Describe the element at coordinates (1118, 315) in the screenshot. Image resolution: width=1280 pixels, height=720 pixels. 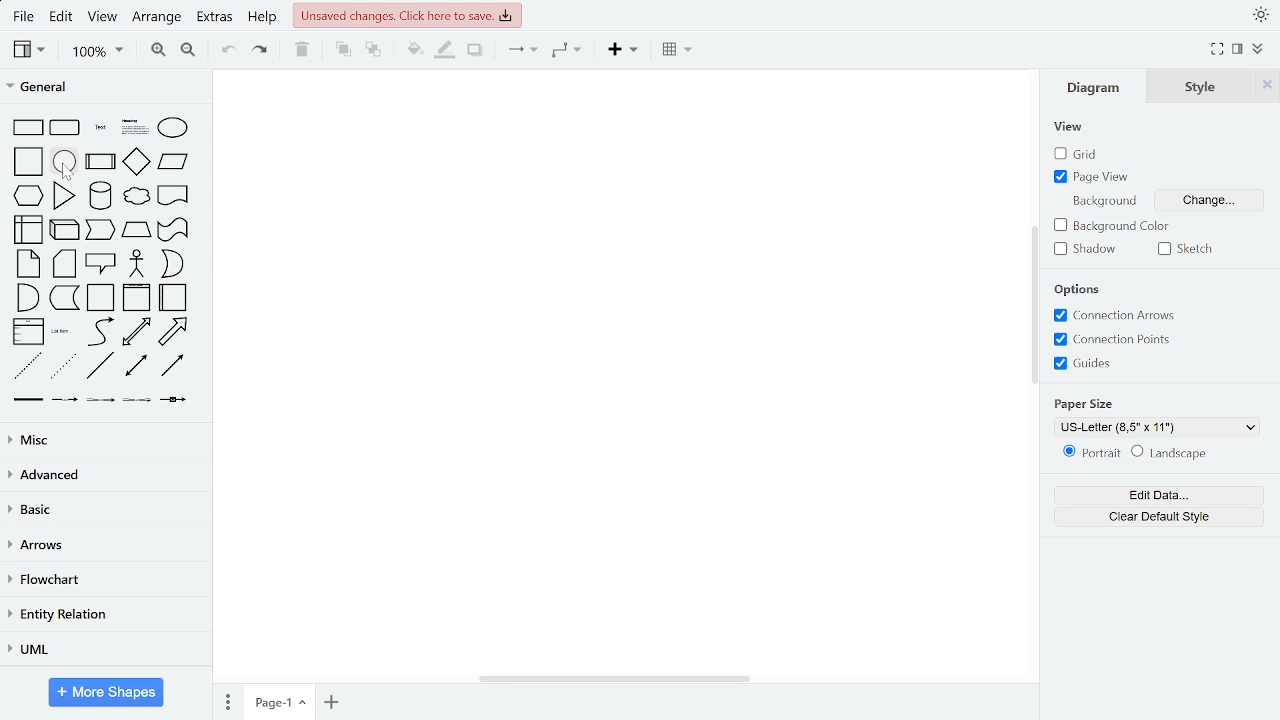
I see `connection arrows` at that location.